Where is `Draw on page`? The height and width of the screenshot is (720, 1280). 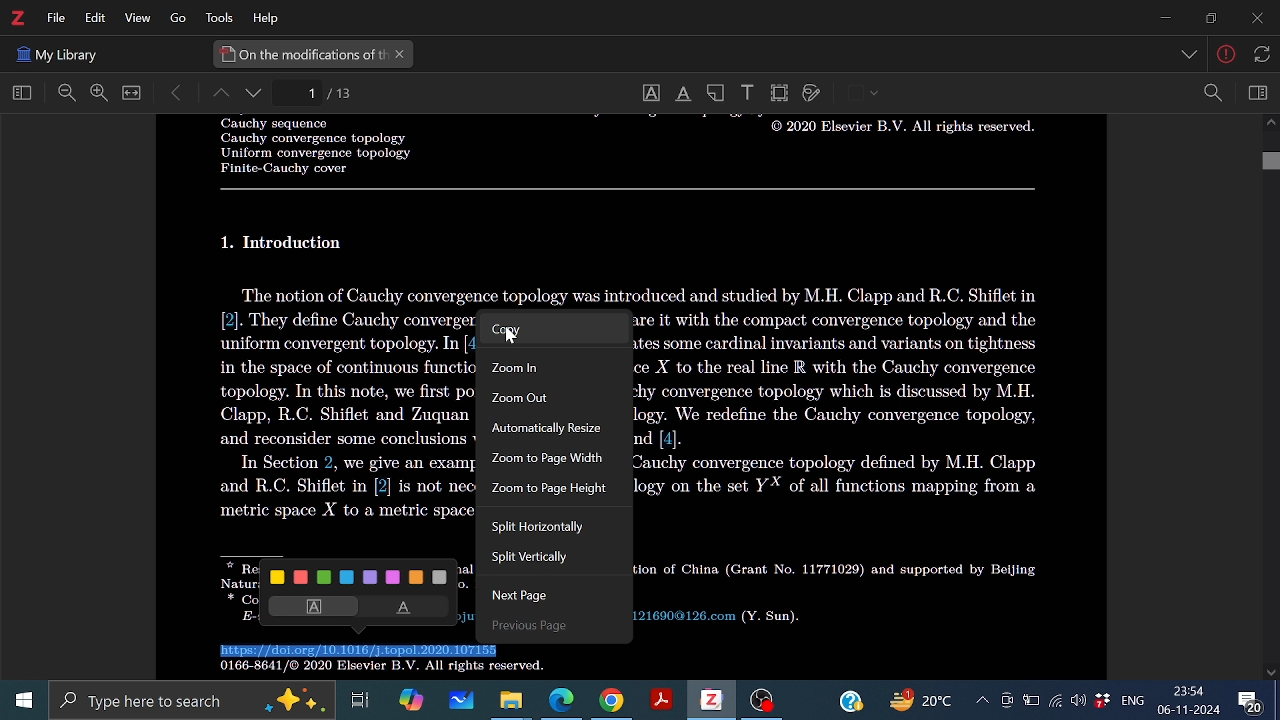
Draw on page is located at coordinates (812, 94).